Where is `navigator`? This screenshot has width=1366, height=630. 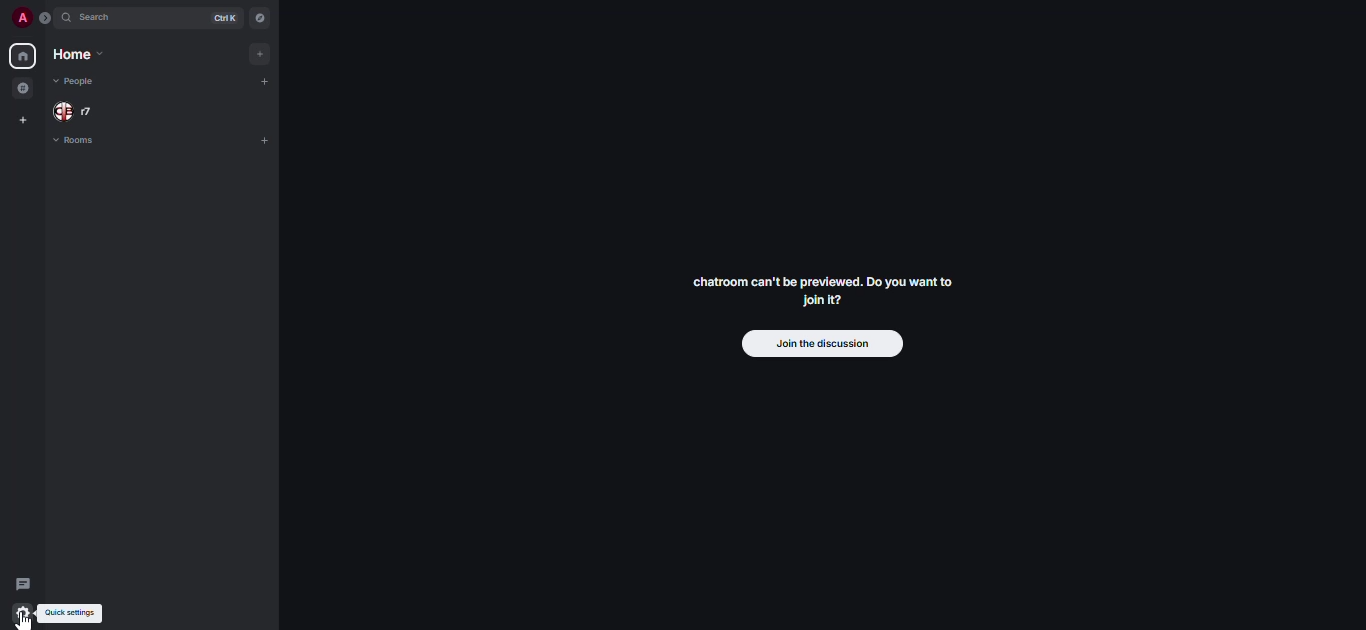 navigator is located at coordinates (261, 16).